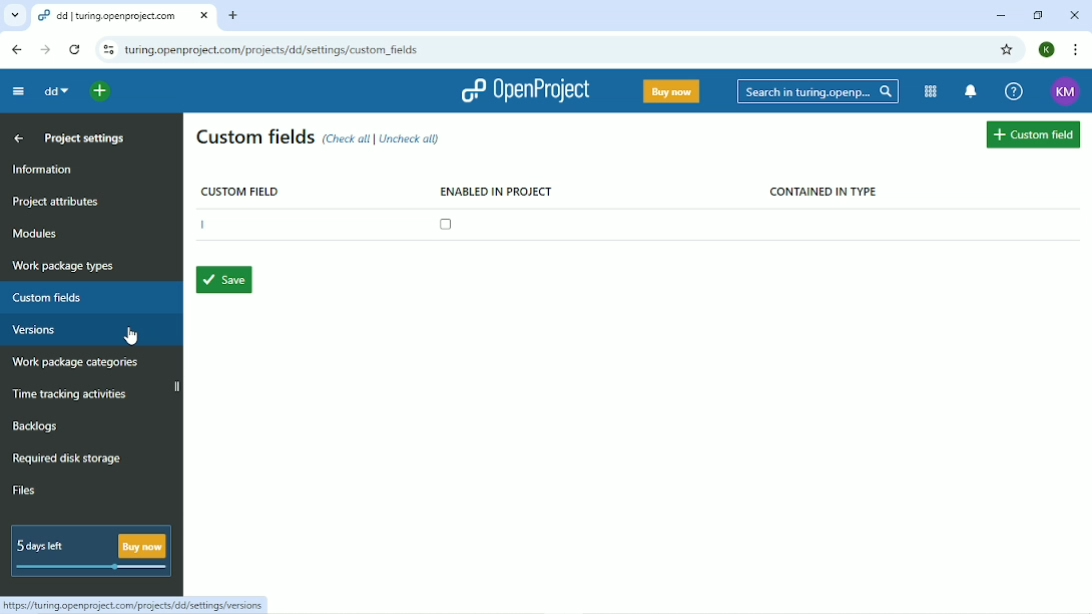 This screenshot has width=1092, height=614. Describe the element at coordinates (1049, 49) in the screenshot. I see `Account` at that location.